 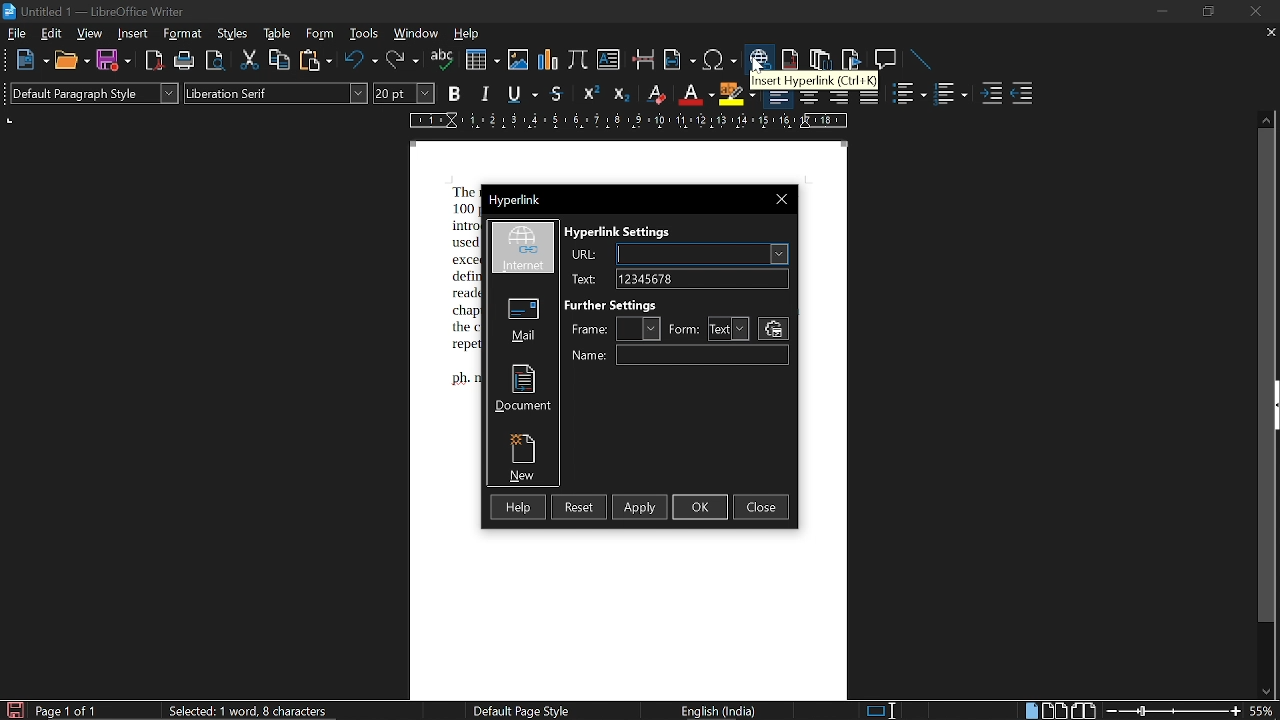 I want to click on new, so click(x=523, y=455).